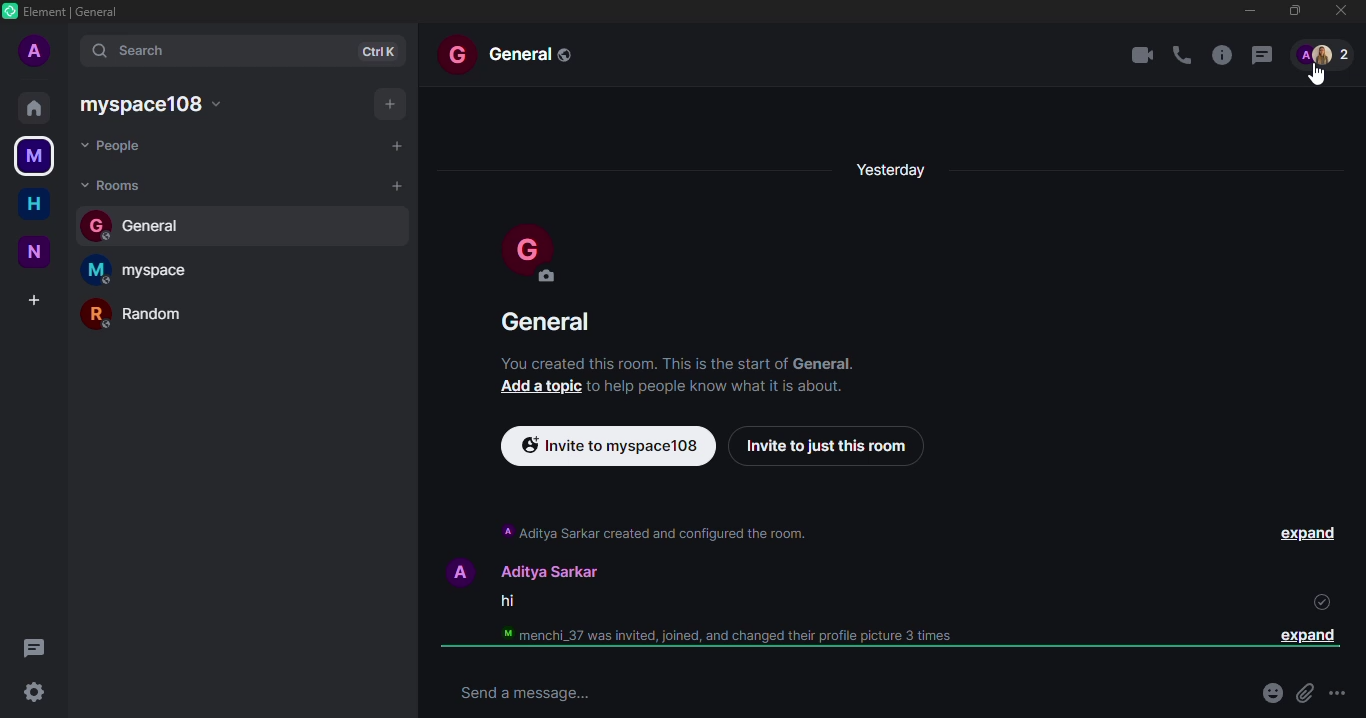  What do you see at coordinates (1295, 12) in the screenshot?
I see `maximize` at bounding box center [1295, 12].